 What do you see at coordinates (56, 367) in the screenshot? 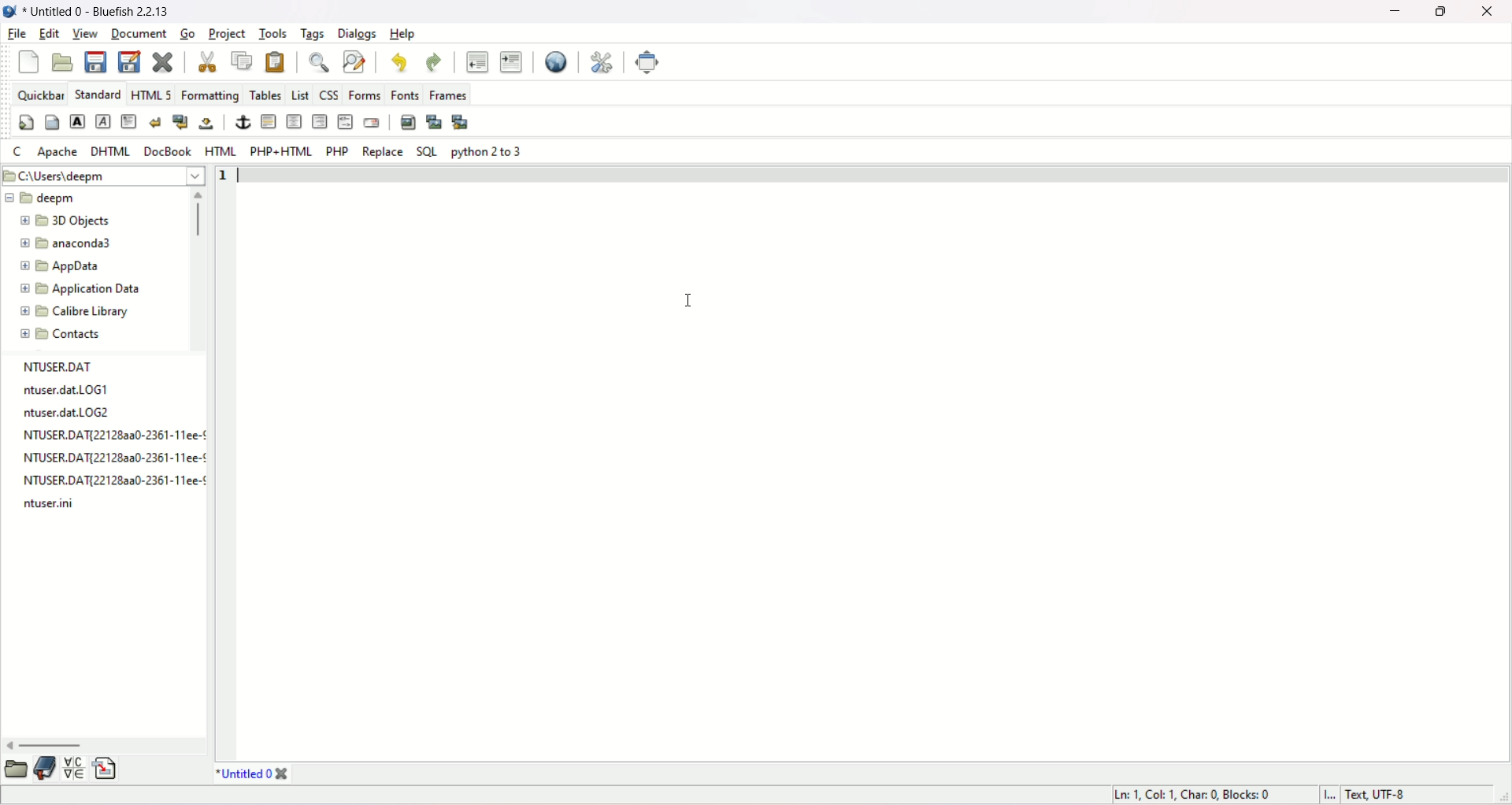
I see `file name` at bounding box center [56, 367].